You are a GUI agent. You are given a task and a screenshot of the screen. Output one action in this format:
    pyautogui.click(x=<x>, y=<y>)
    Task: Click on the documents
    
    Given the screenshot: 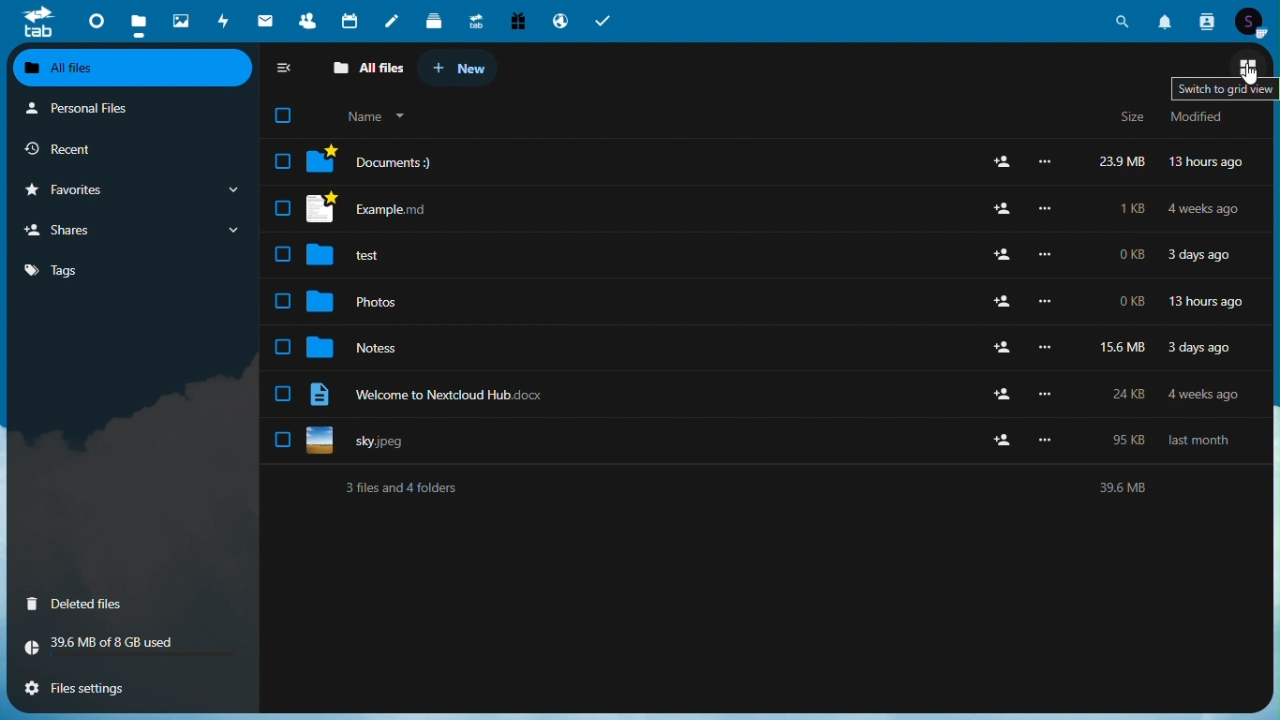 What is the action you would take?
    pyautogui.click(x=413, y=161)
    